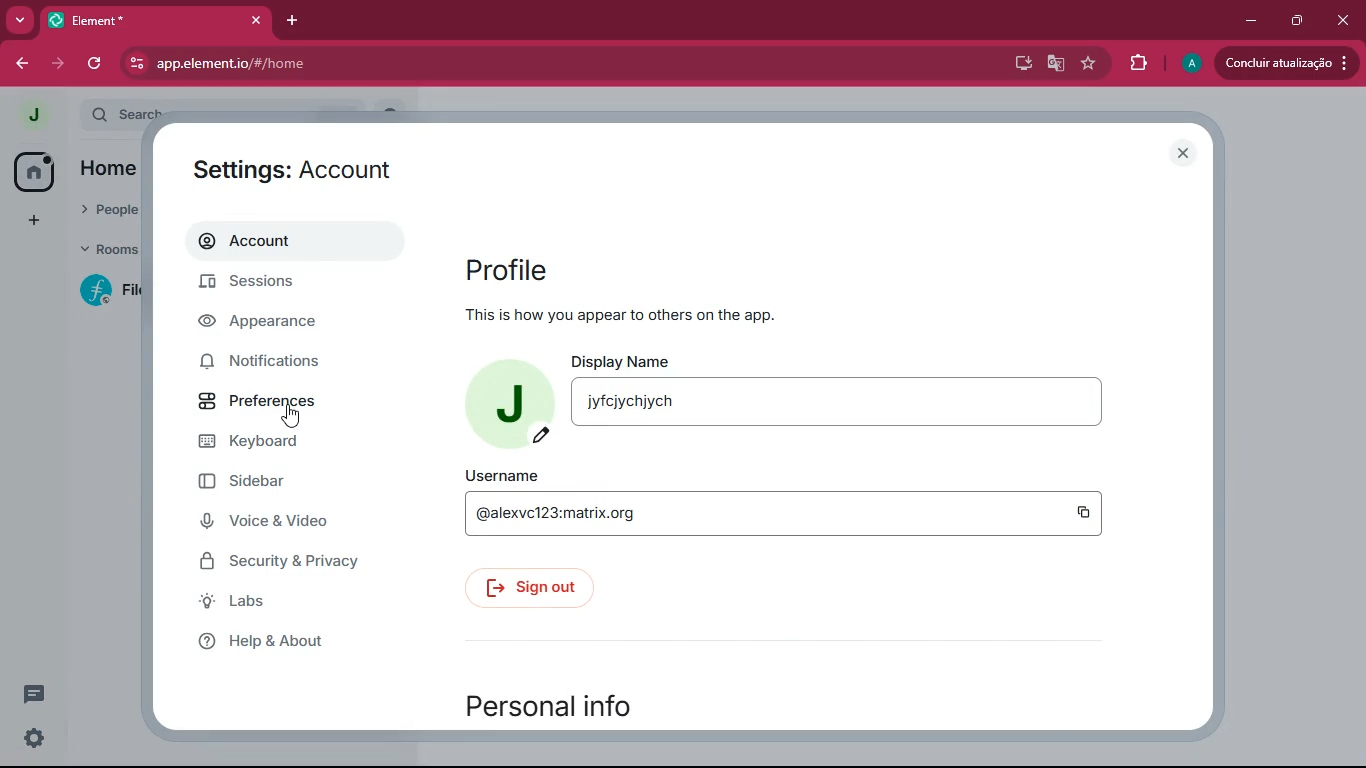 This screenshot has height=768, width=1366. Describe the element at coordinates (1190, 63) in the screenshot. I see `profile` at that location.